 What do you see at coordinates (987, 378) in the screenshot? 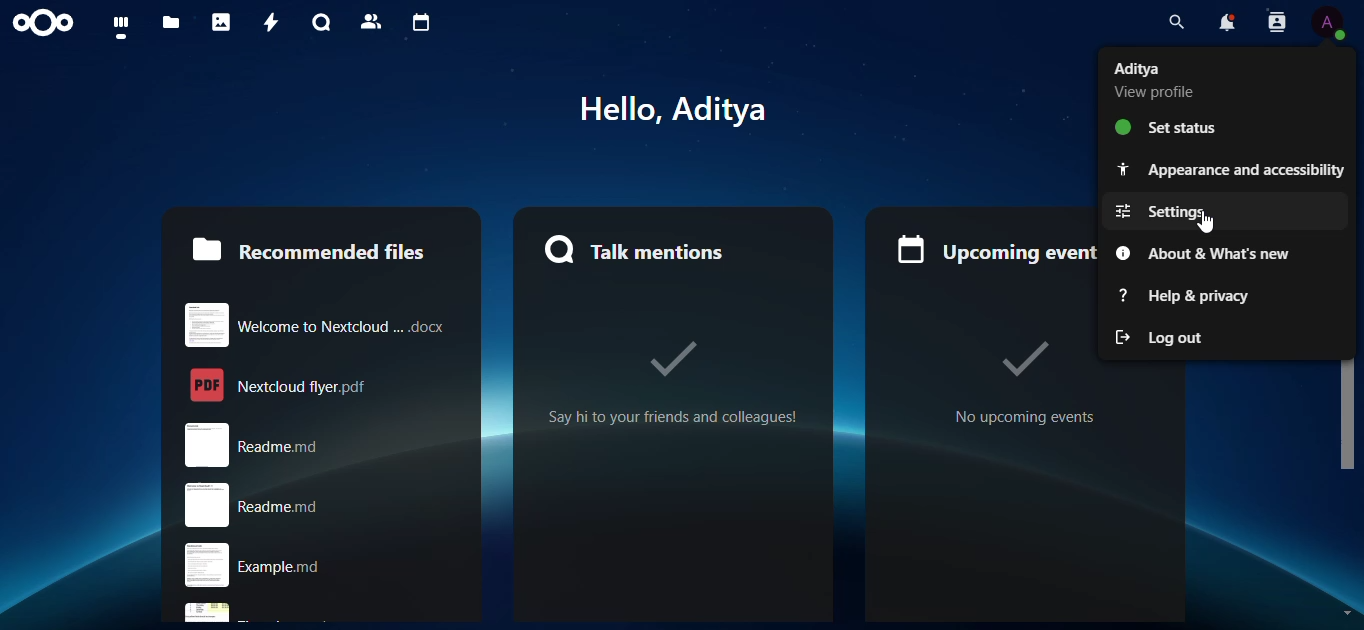
I see `no upcoming events` at bounding box center [987, 378].